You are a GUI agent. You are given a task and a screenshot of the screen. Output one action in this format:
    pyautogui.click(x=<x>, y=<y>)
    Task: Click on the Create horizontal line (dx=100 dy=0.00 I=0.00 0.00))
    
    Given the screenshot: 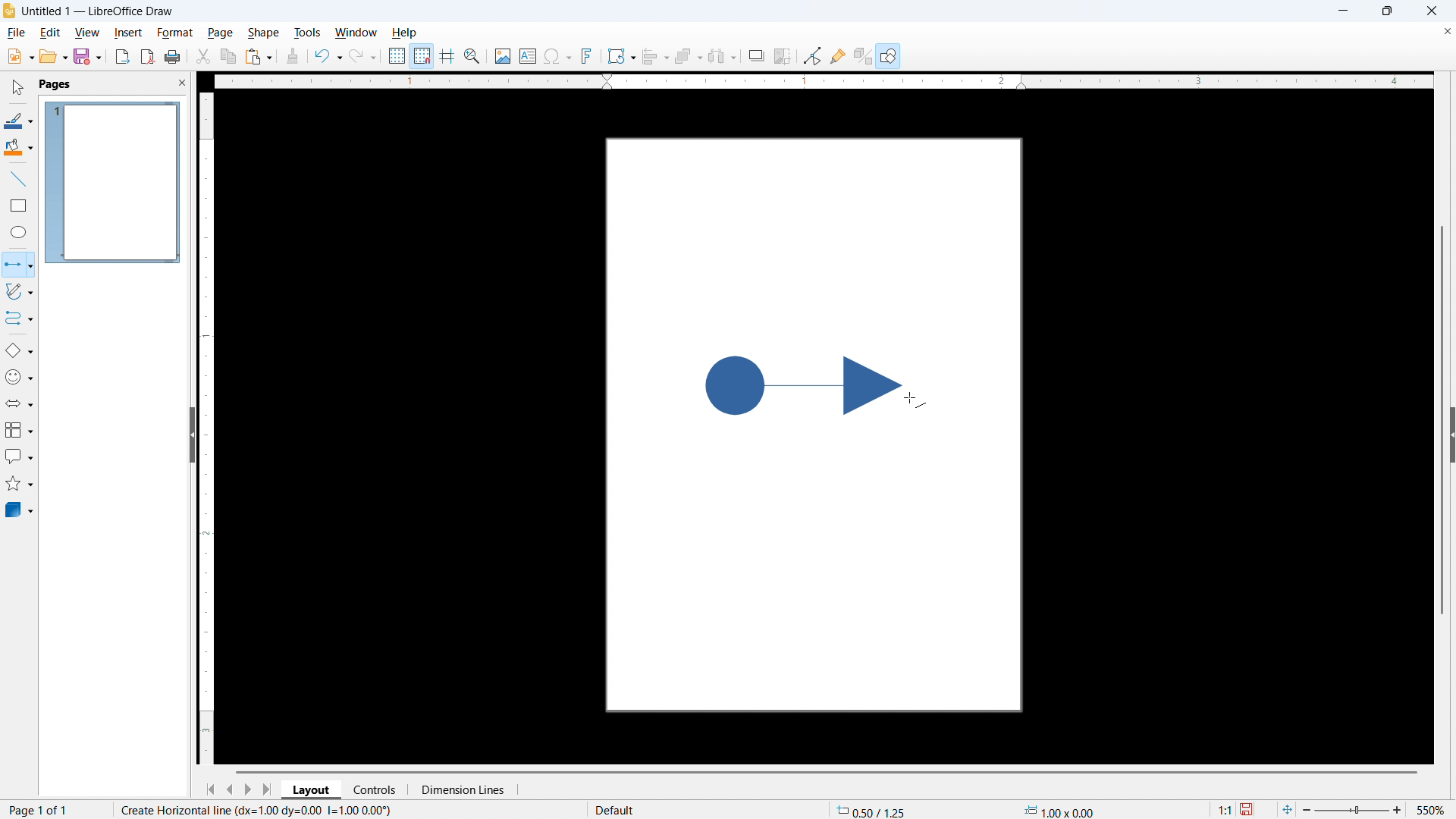 What is the action you would take?
    pyautogui.click(x=253, y=811)
    